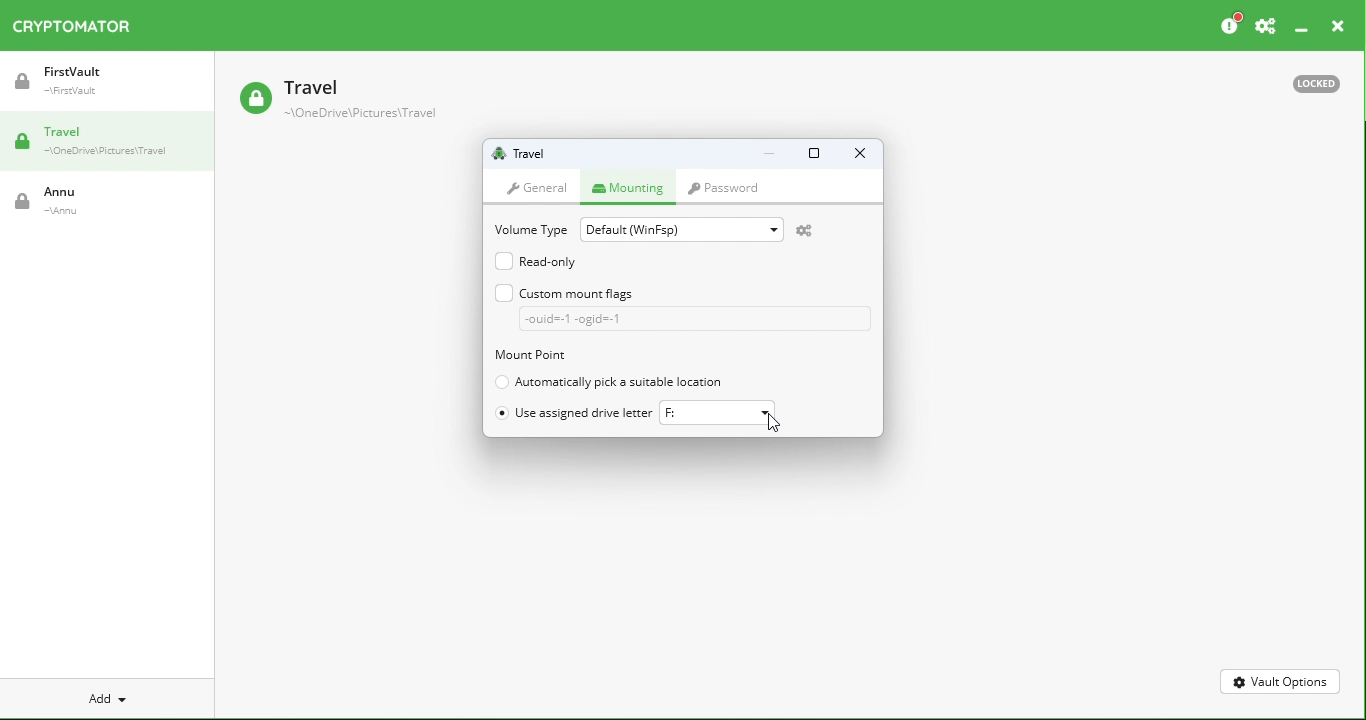 This screenshot has width=1366, height=720. What do you see at coordinates (81, 27) in the screenshot?
I see `Cryptomator icon` at bounding box center [81, 27].